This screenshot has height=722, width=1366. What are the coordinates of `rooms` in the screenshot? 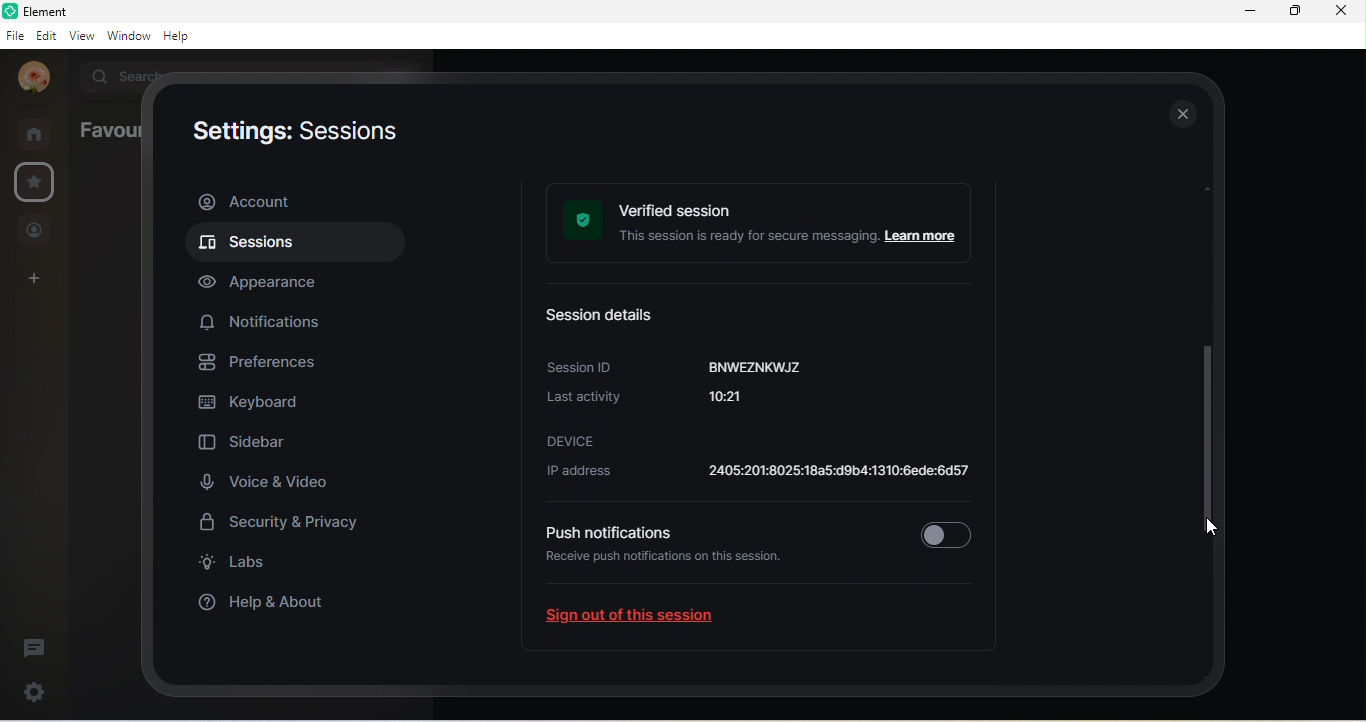 It's located at (39, 133).